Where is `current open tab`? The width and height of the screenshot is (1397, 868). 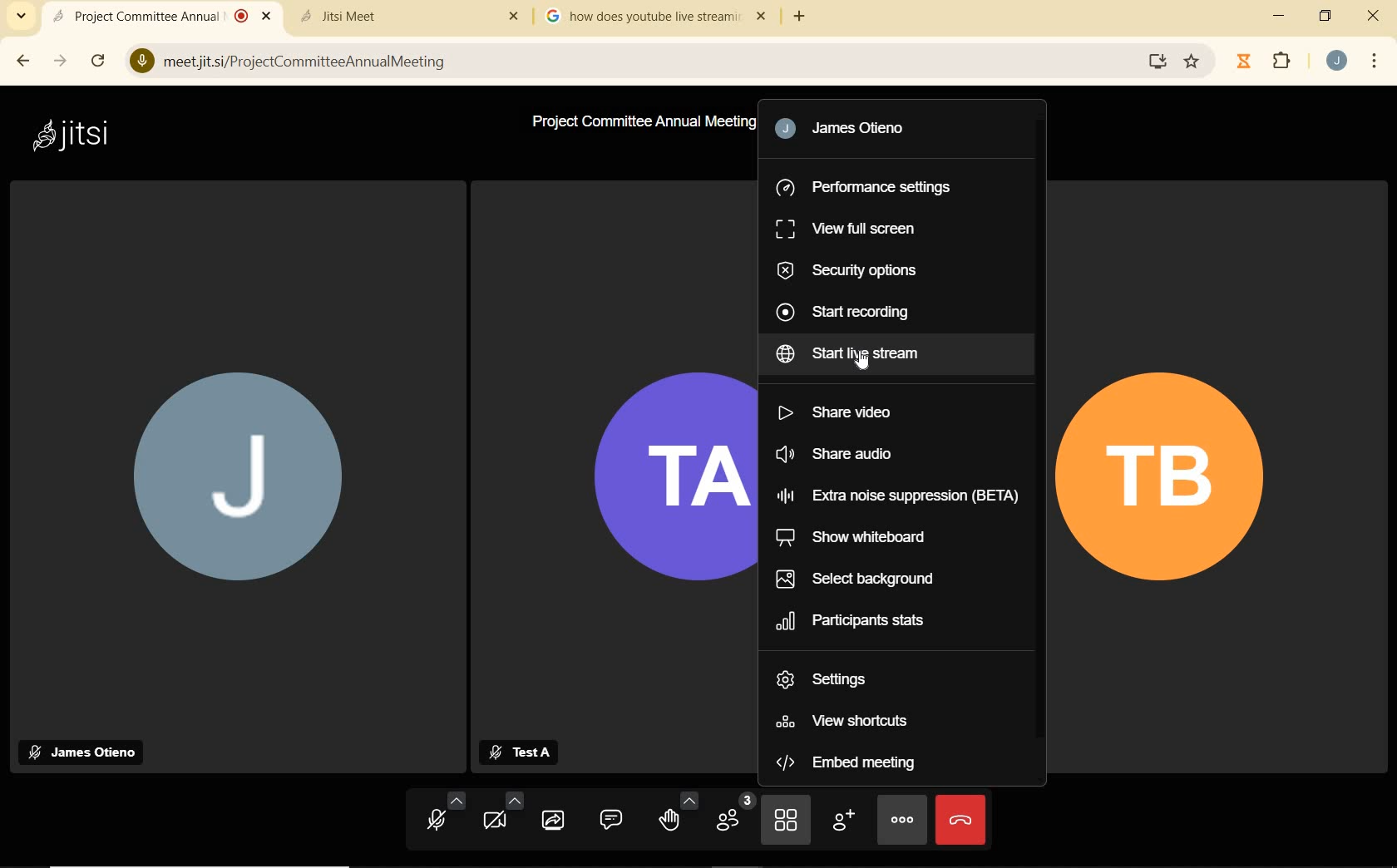 current open tab is located at coordinates (146, 16).